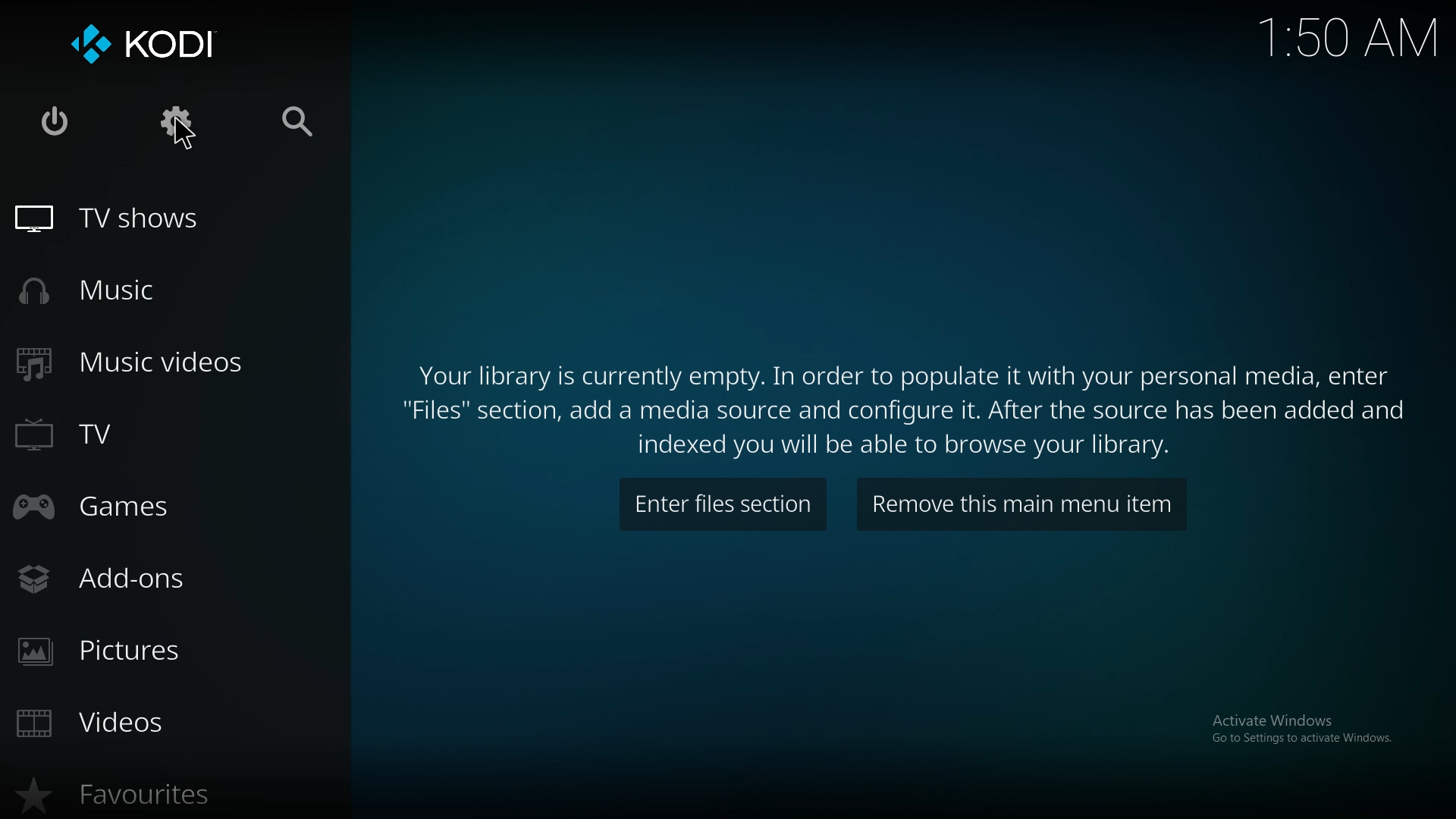 Image resolution: width=1456 pixels, height=819 pixels. I want to click on close, so click(53, 119).